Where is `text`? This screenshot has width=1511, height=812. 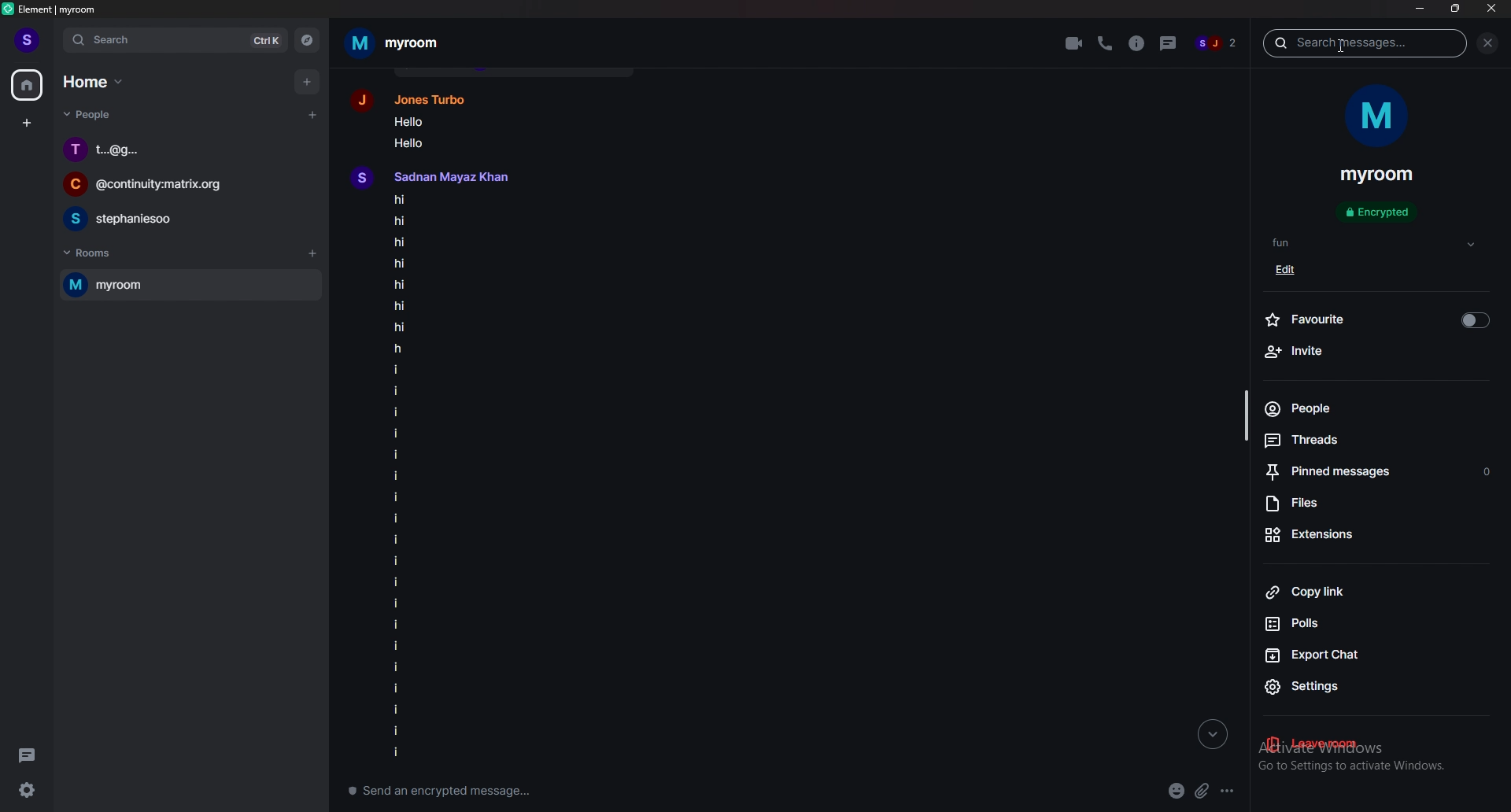 text is located at coordinates (434, 131).